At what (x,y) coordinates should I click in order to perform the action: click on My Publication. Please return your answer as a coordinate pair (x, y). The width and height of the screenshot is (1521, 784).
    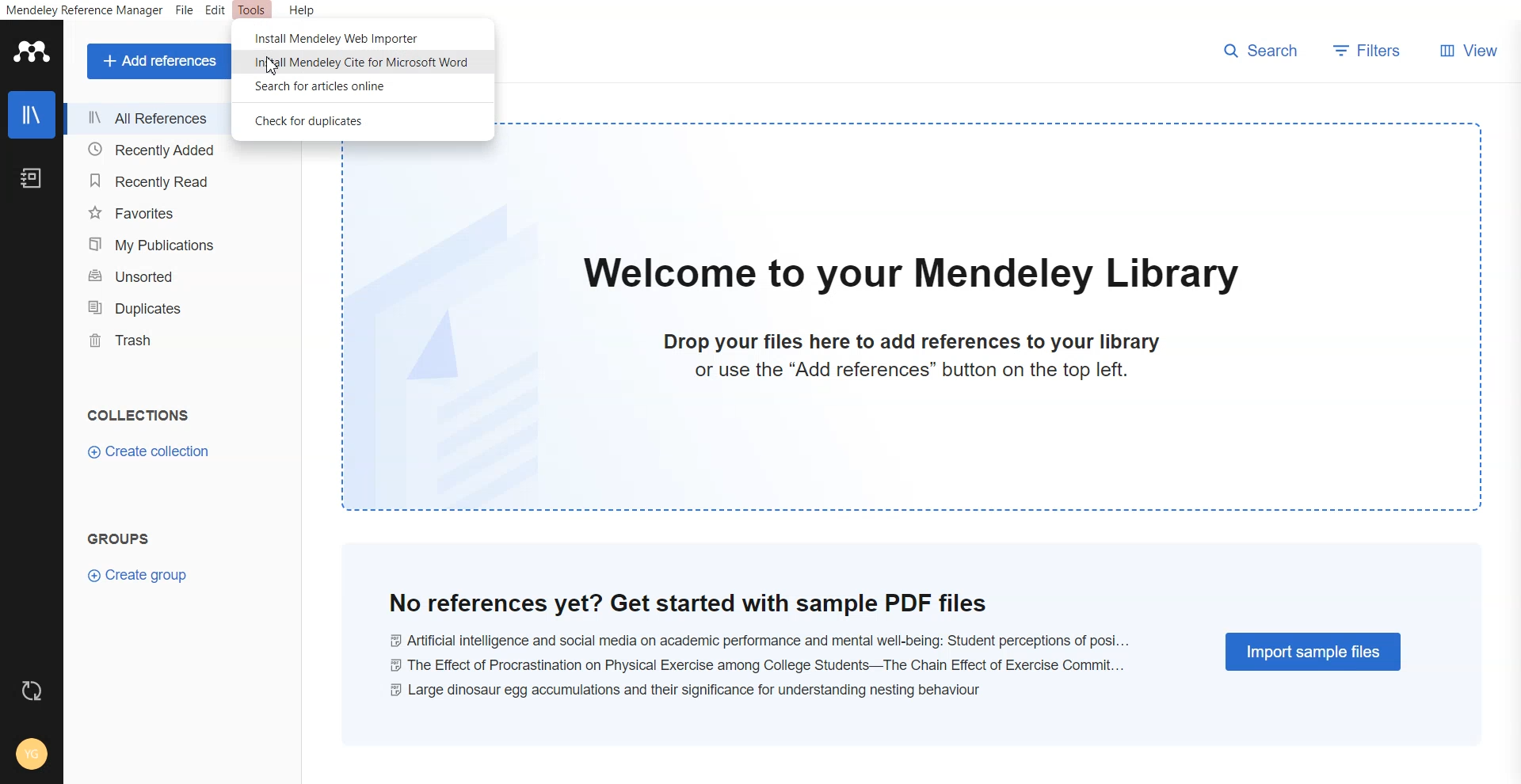
    Looking at the image, I should click on (182, 244).